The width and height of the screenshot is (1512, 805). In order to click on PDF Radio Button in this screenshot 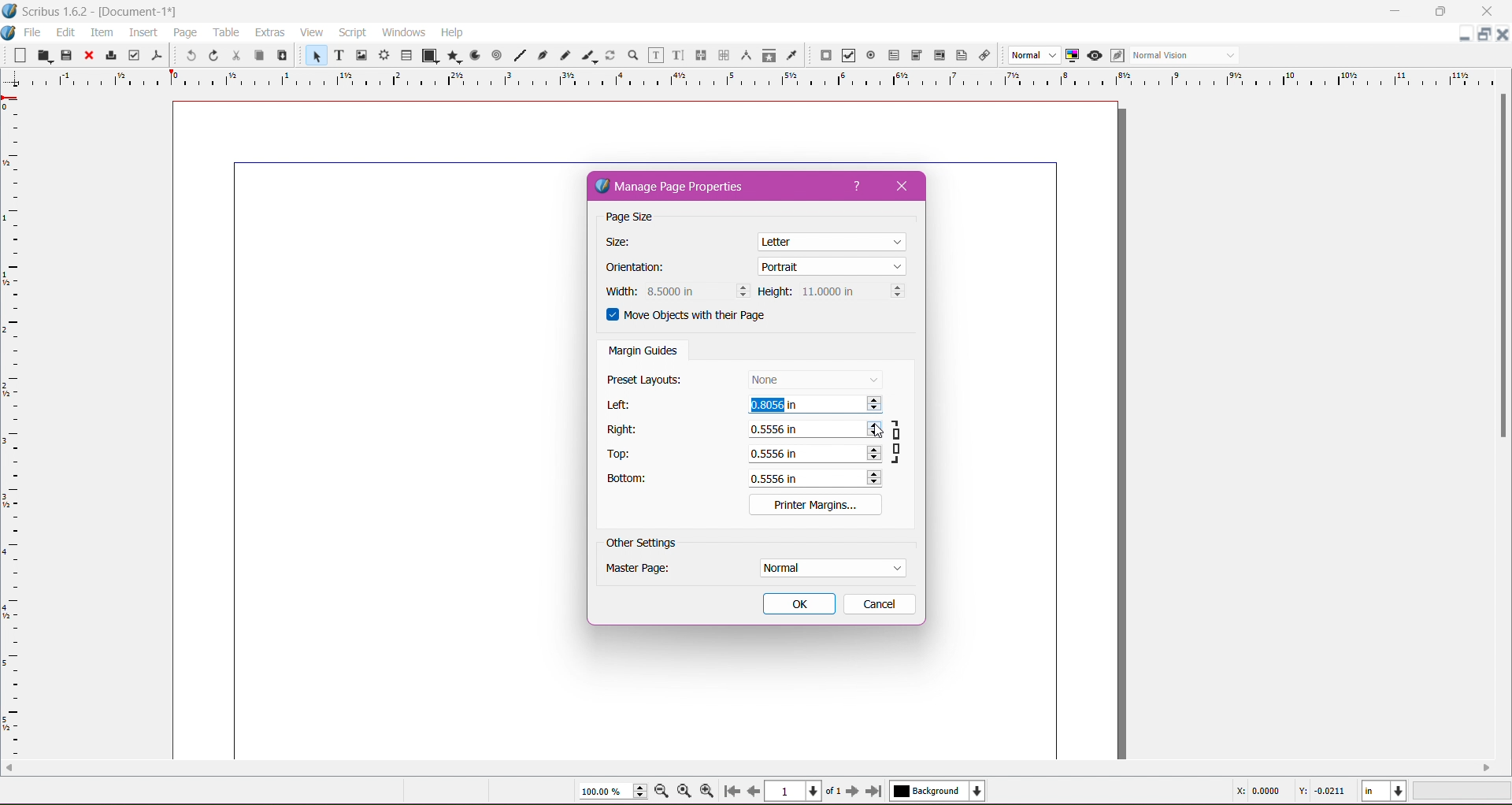, I will do `click(871, 56)`.